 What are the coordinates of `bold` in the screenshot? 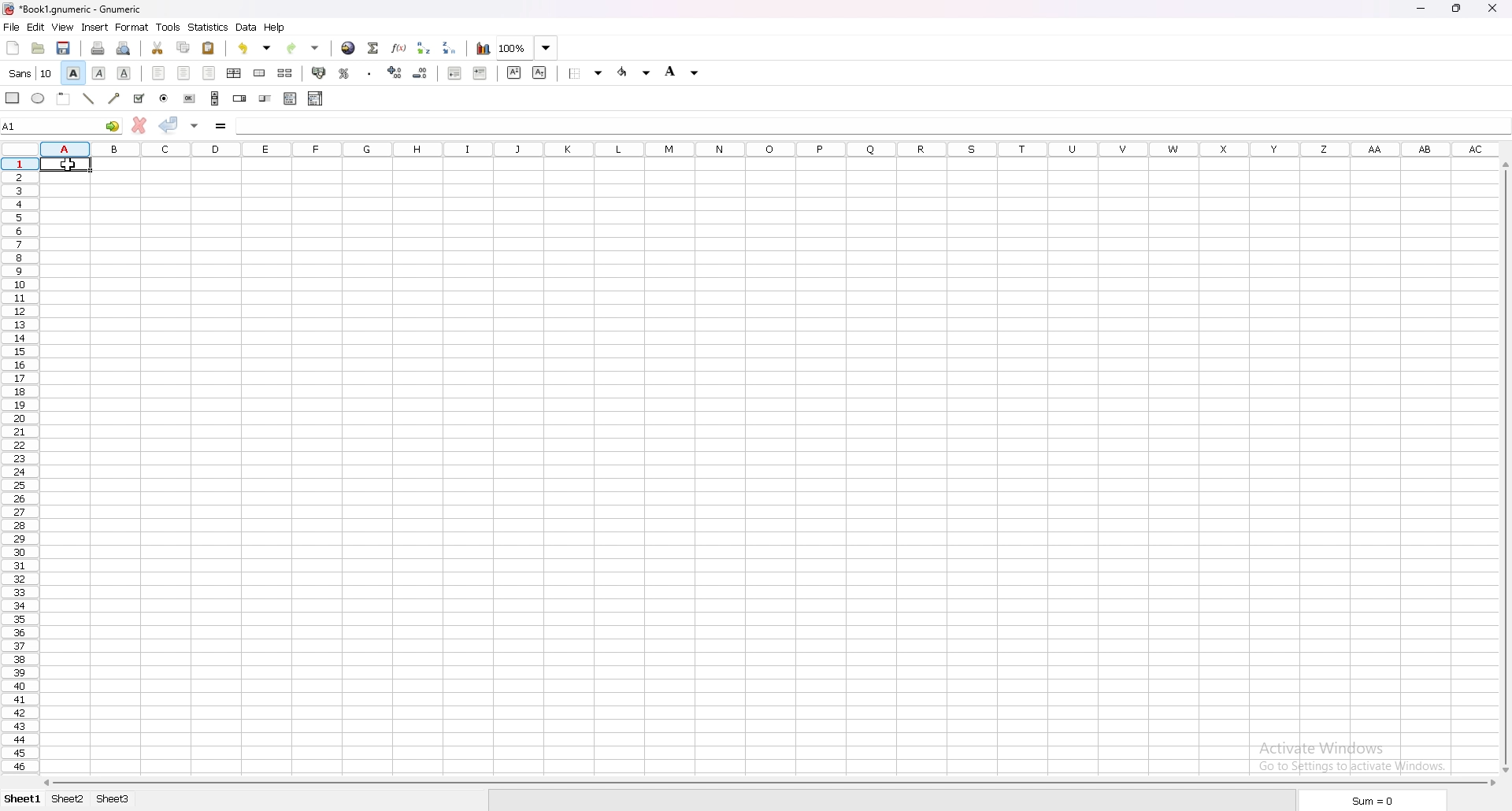 It's located at (72, 73).